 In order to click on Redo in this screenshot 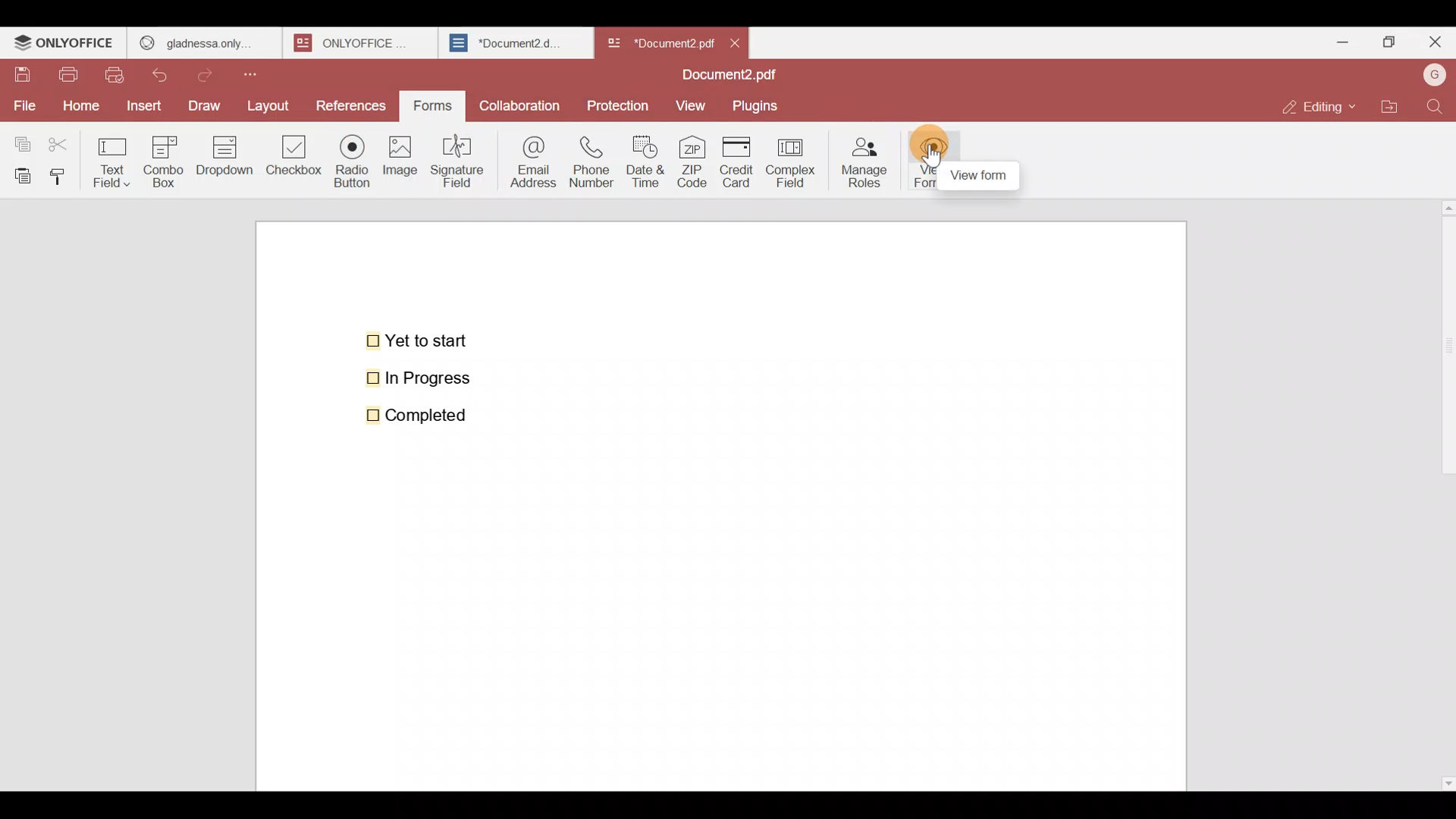, I will do `click(212, 71)`.